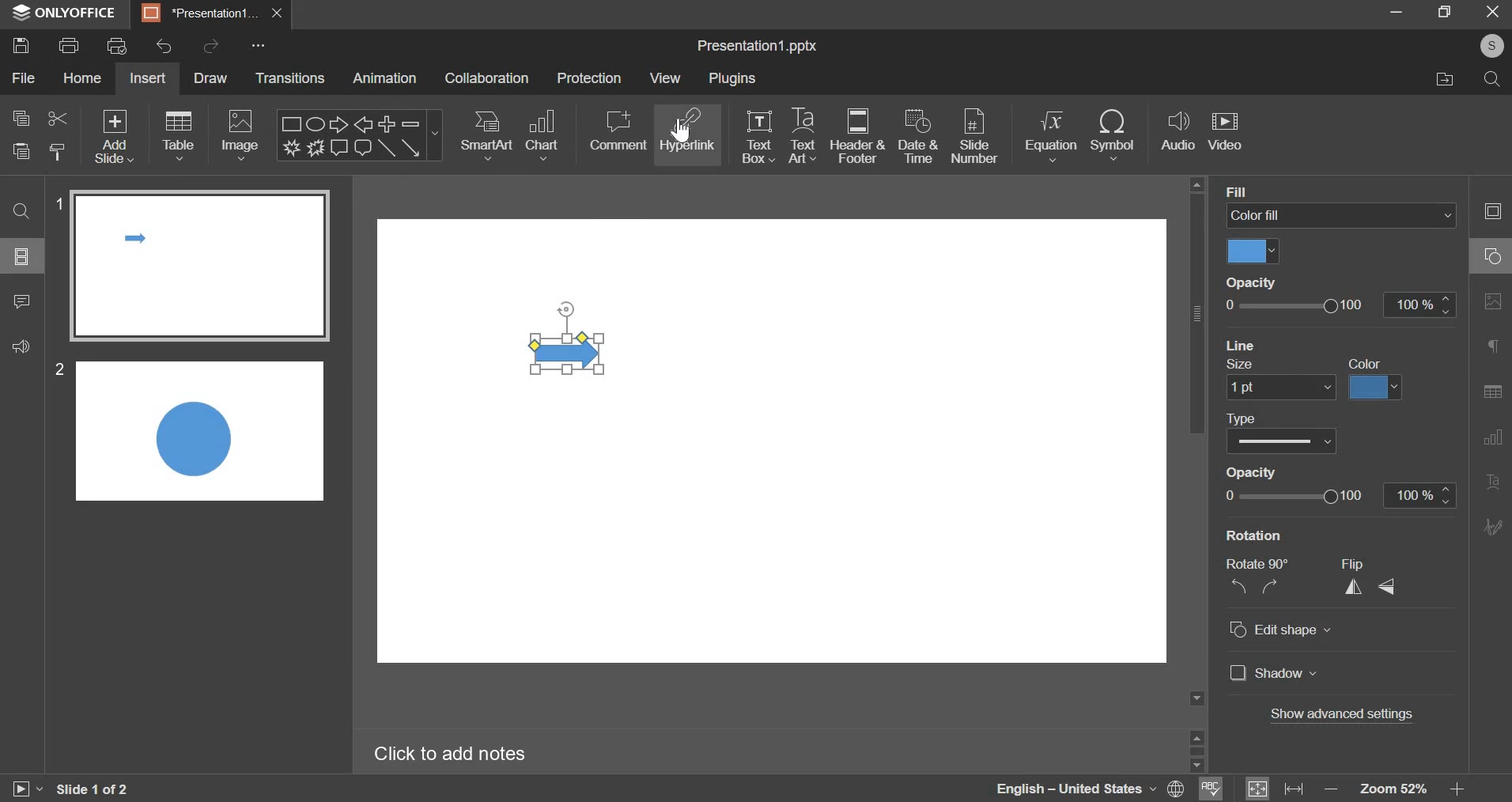 The image size is (1512, 802). Describe the element at coordinates (1446, 81) in the screenshot. I see `file location` at that location.